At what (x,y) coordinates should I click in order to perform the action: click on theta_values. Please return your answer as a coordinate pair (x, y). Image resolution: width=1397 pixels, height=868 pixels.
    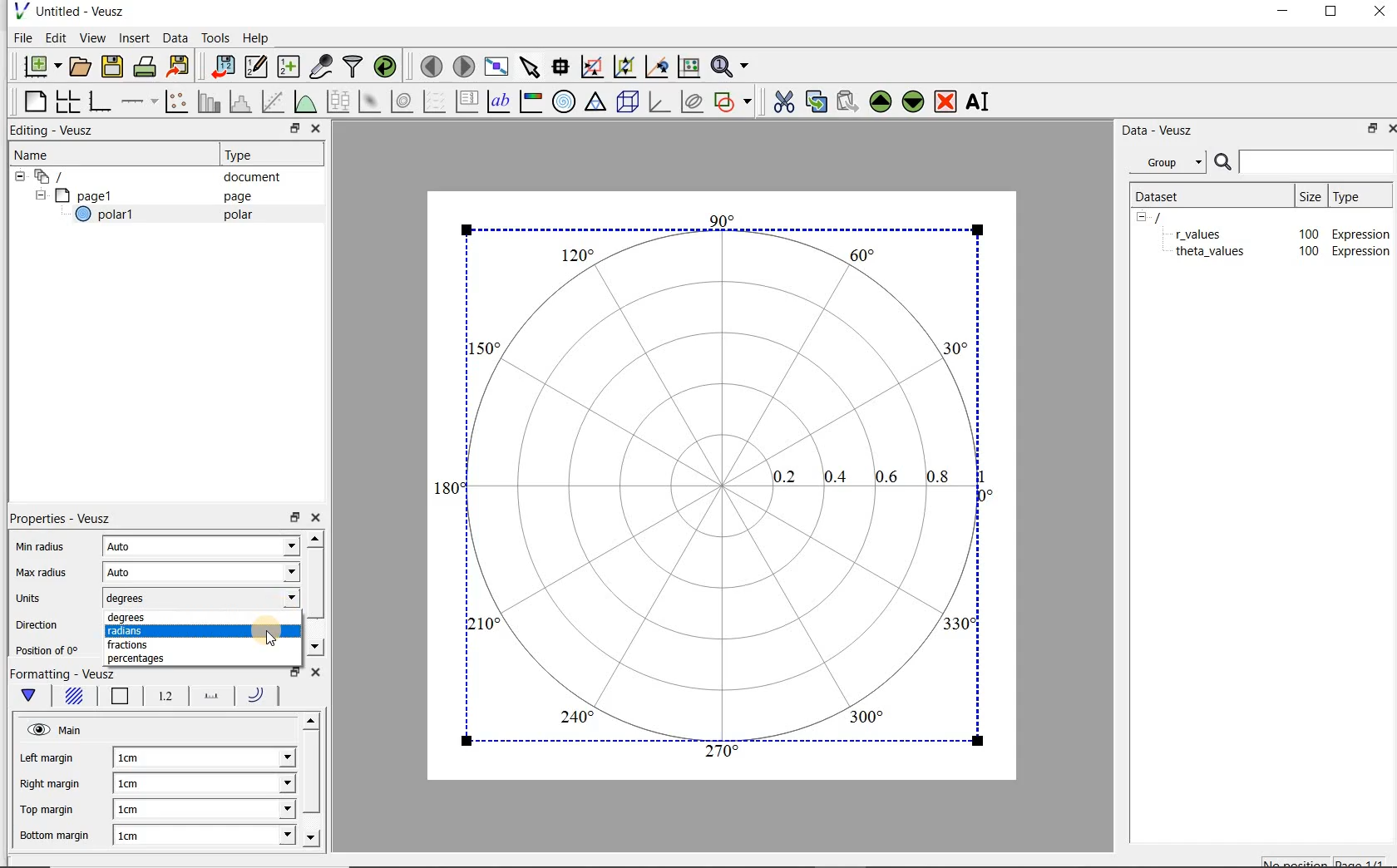
    Looking at the image, I should click on (1212, 234).